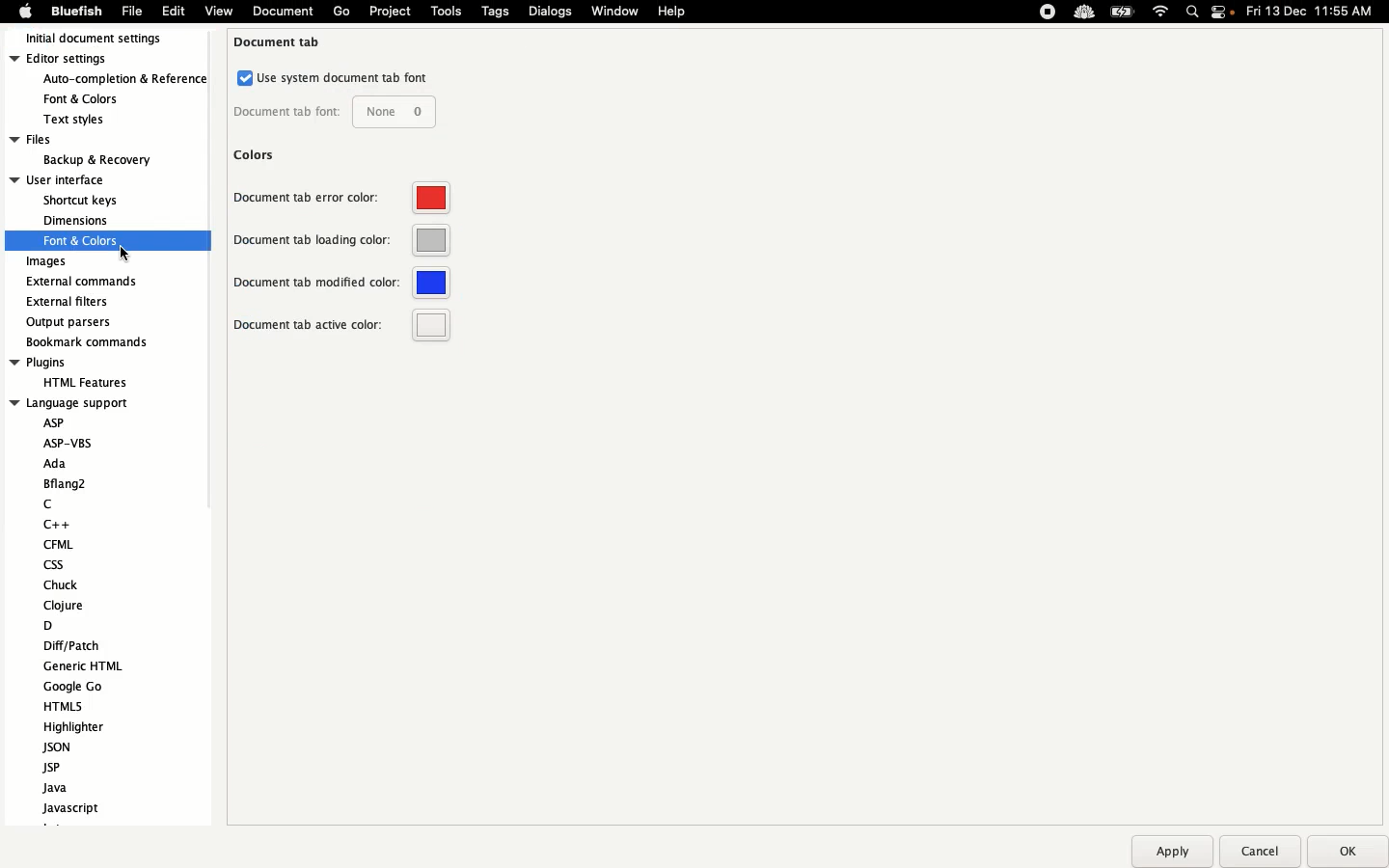 Image resolution: width=1389 pixels, height=868 pixels. I want to click on document tab, so click(282, 42).